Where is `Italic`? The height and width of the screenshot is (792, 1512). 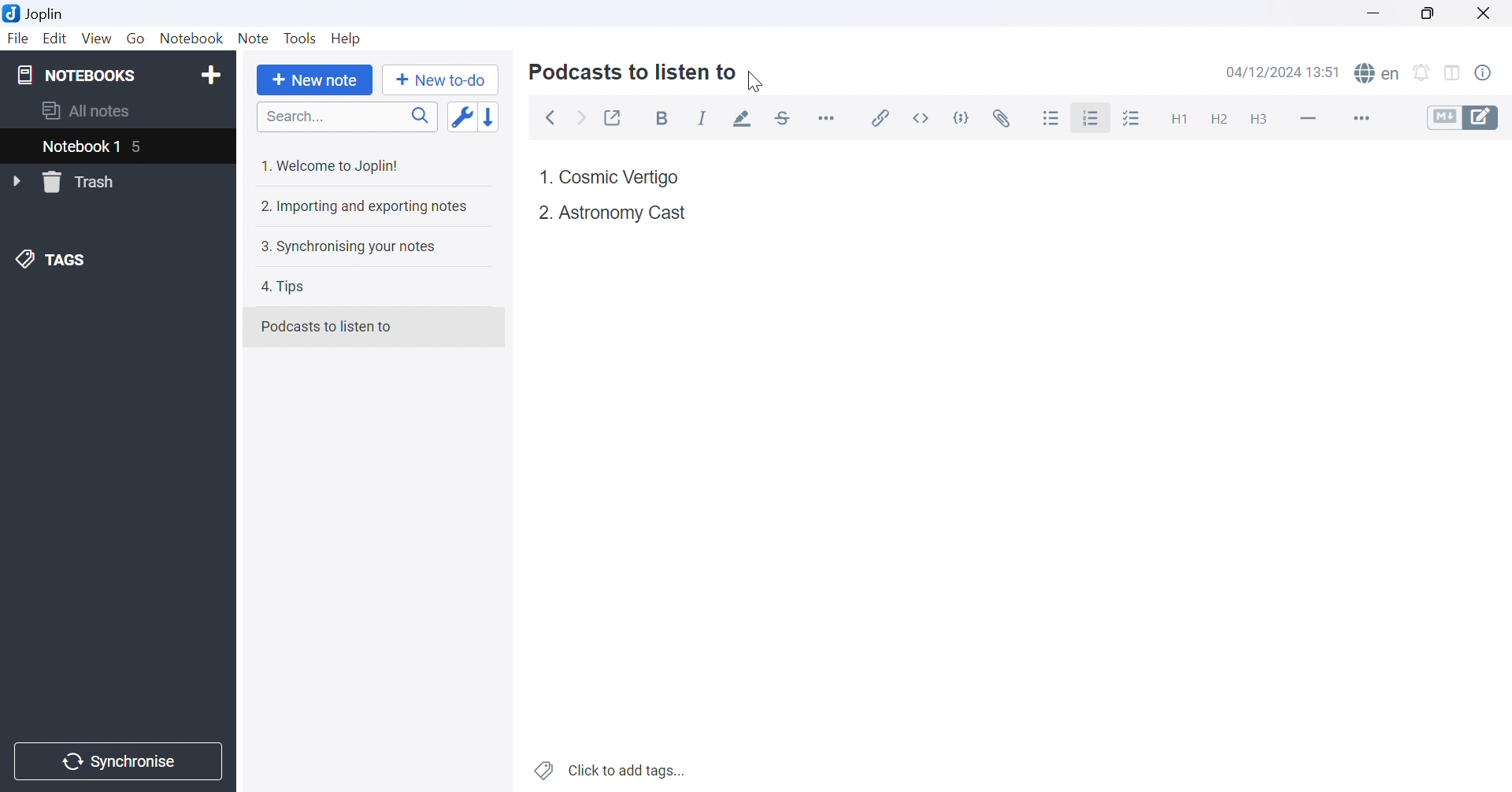
Italic is located at coordinates (702, 119).